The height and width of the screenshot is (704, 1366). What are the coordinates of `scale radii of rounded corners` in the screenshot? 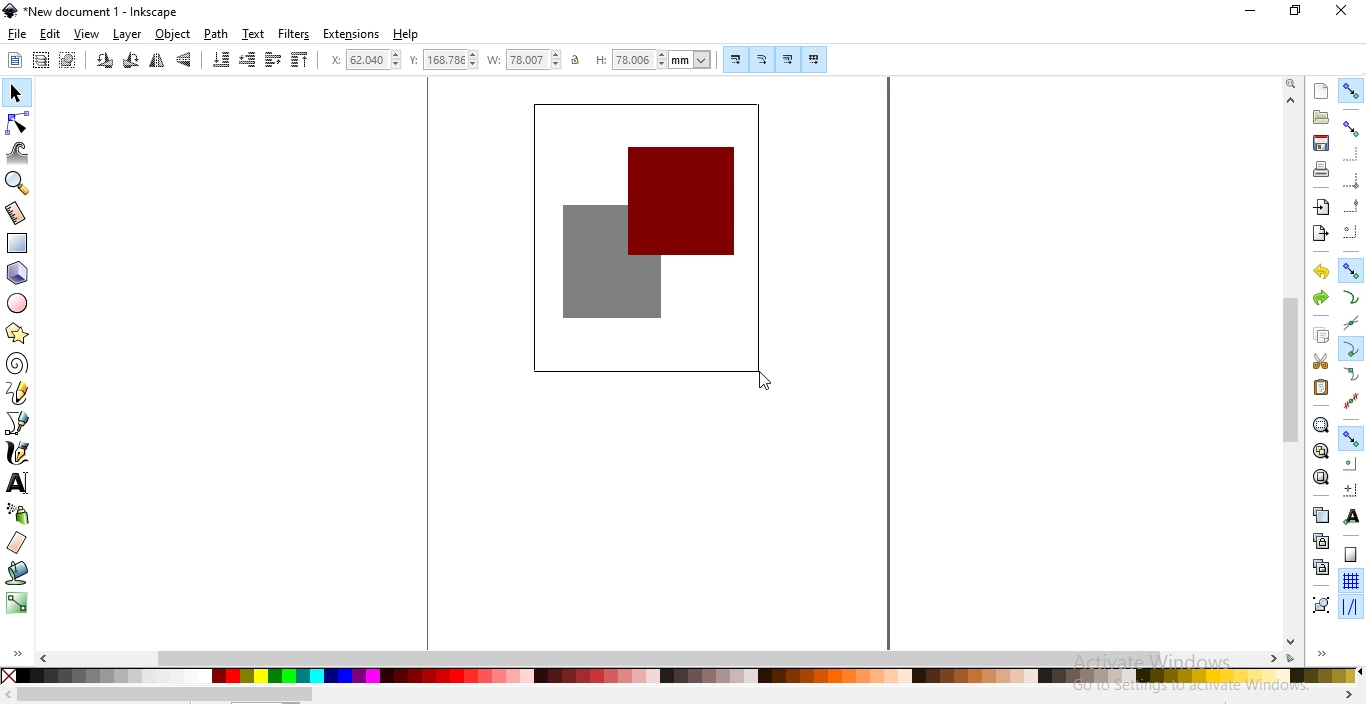 It's located at (763, 59).